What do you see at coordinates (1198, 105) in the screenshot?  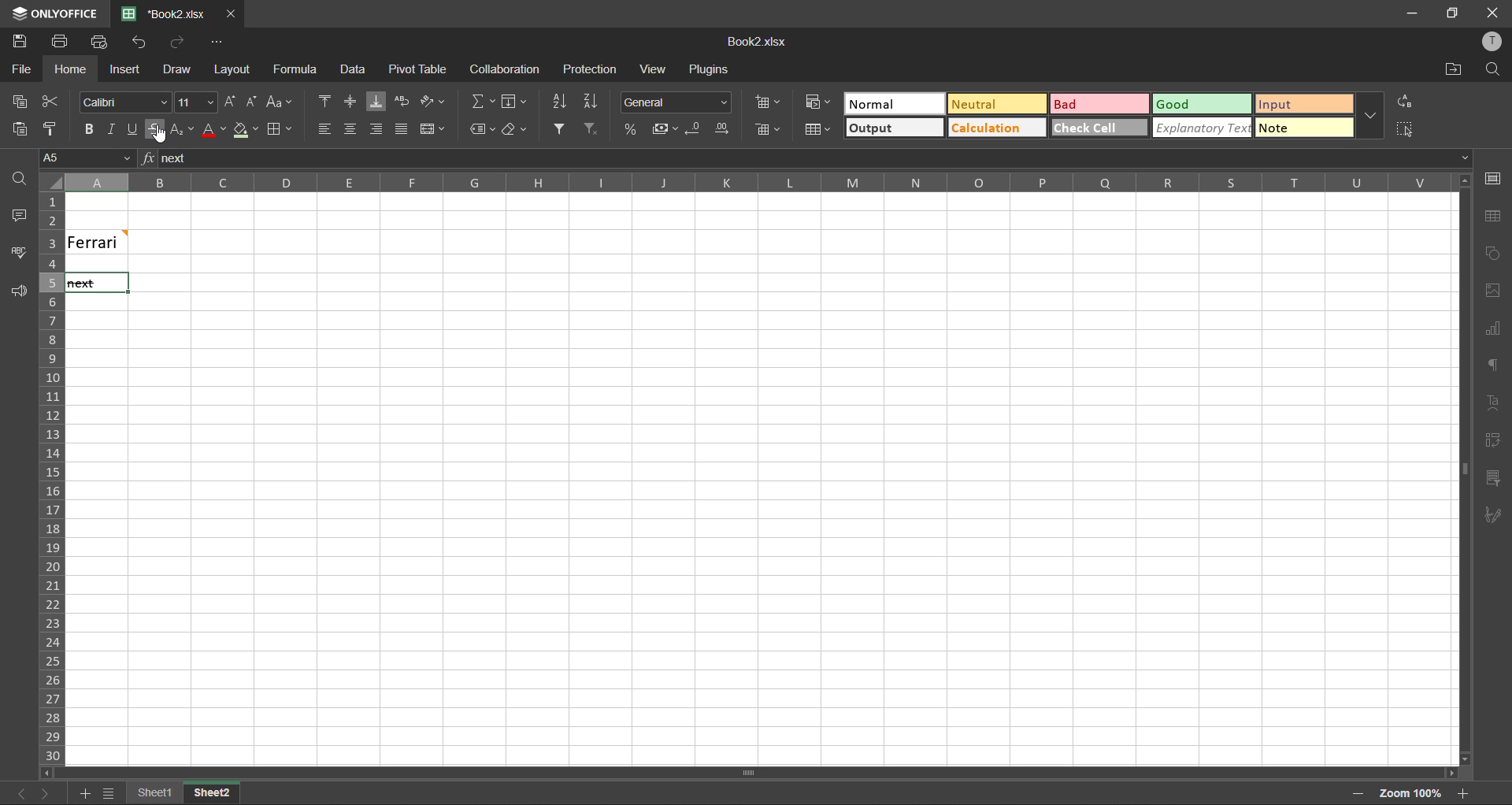 I see `good` at bounding box center [1198, 105].